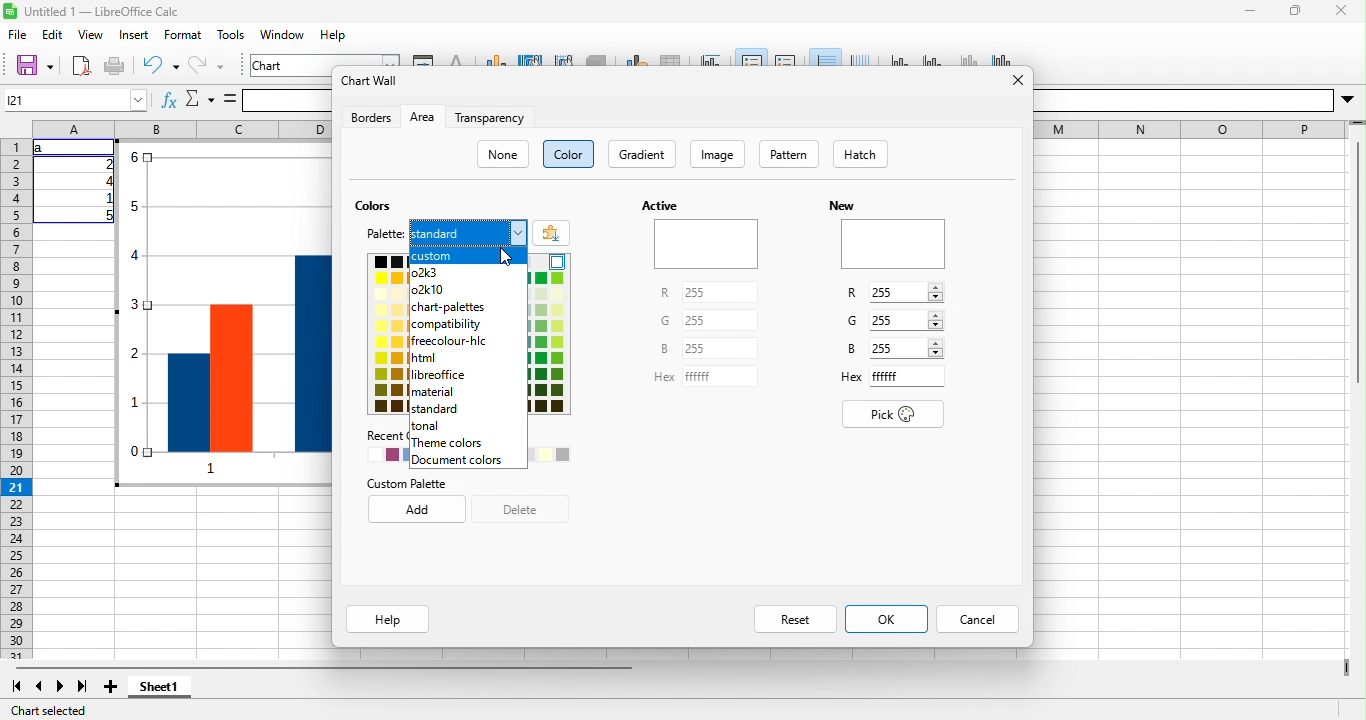  I want to click on Input for B, so click(720, 348).